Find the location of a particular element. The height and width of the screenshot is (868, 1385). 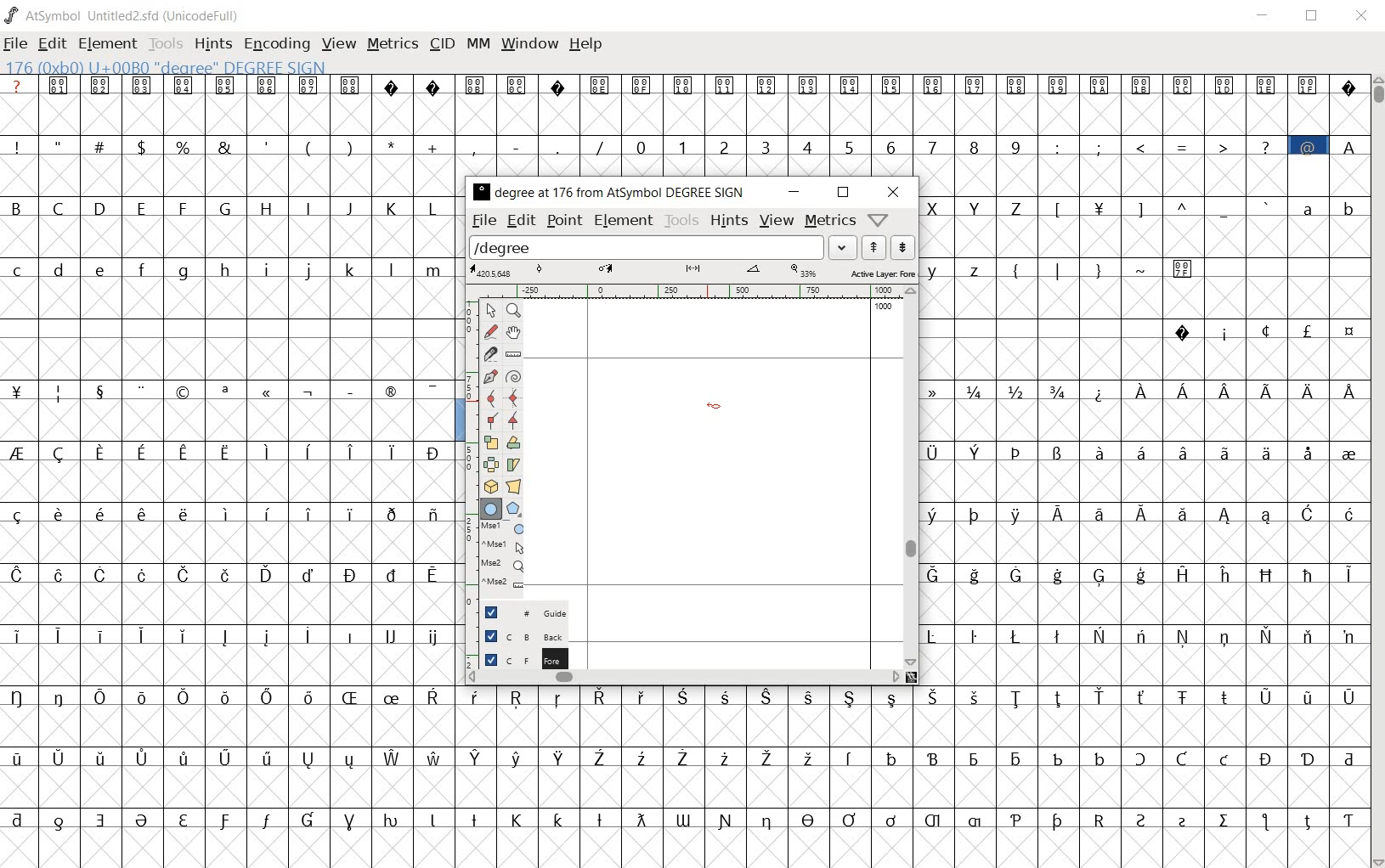

view is located at coordinates (777, 220).